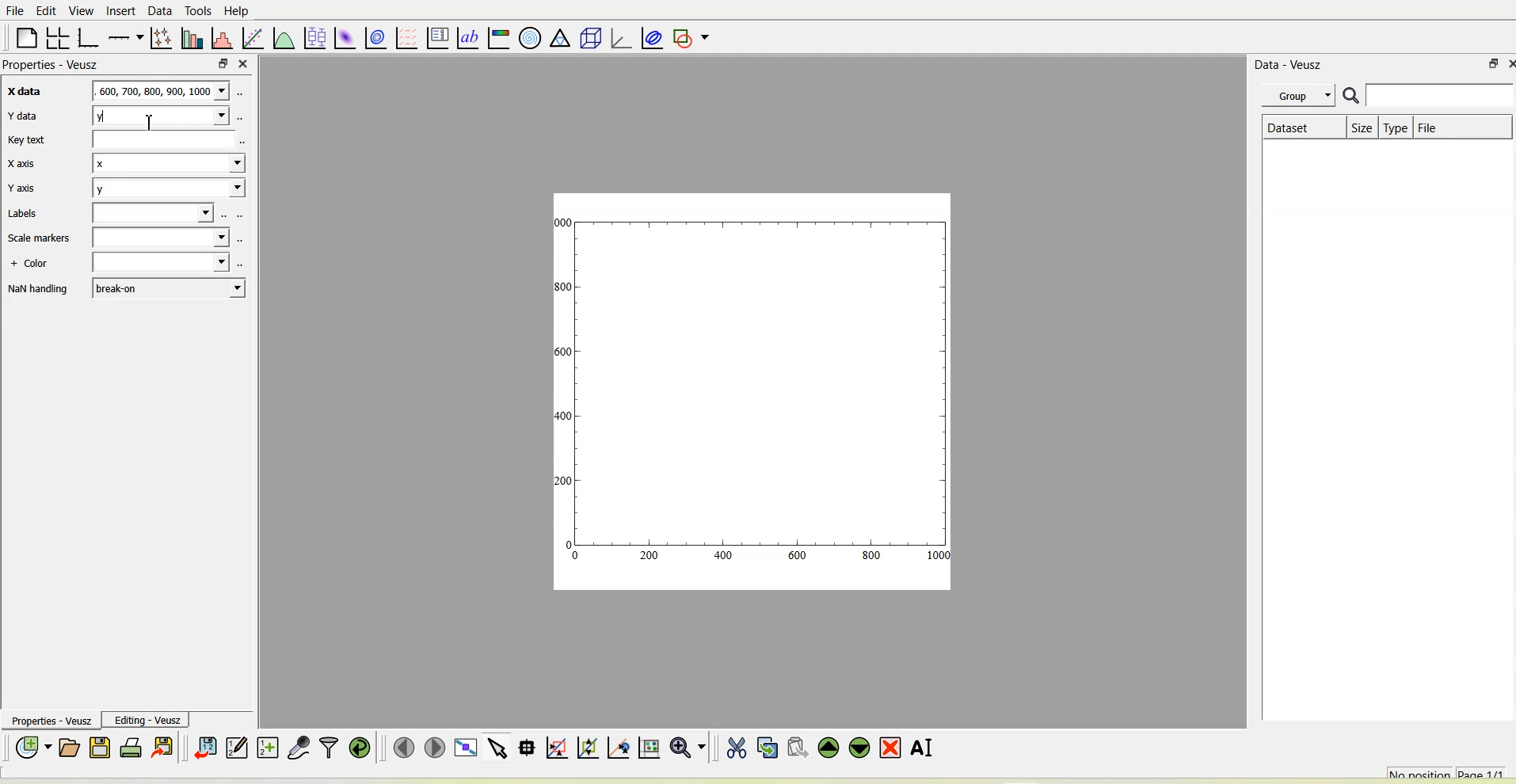 The image size is (1516, 784). Describe the element at coordinates (1487, 772) in the screenshot. I see `Page 1/1` at that location.